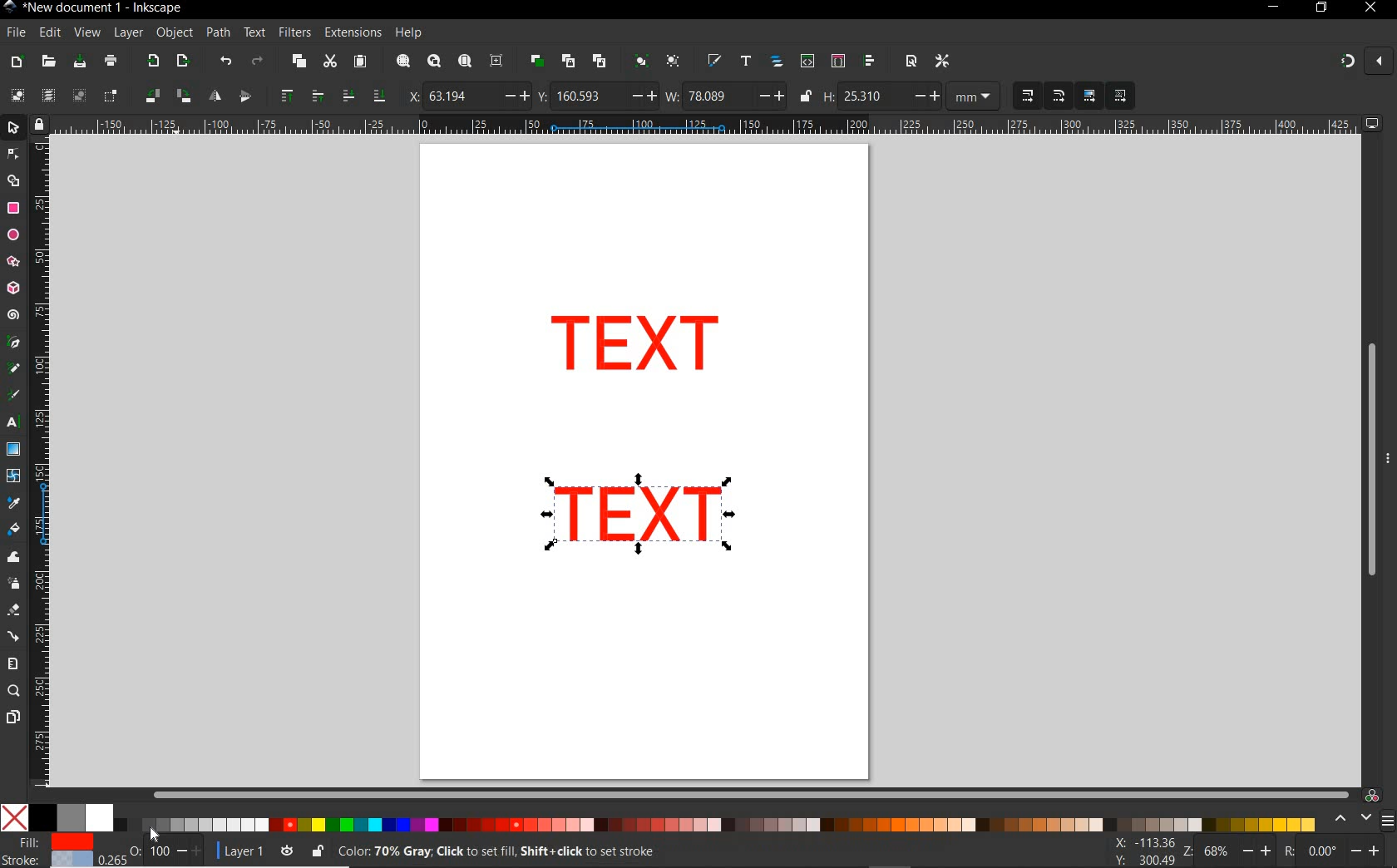 The height and width of the screenshot is (868, 1397). I want to click on open text, so click(746, 62).